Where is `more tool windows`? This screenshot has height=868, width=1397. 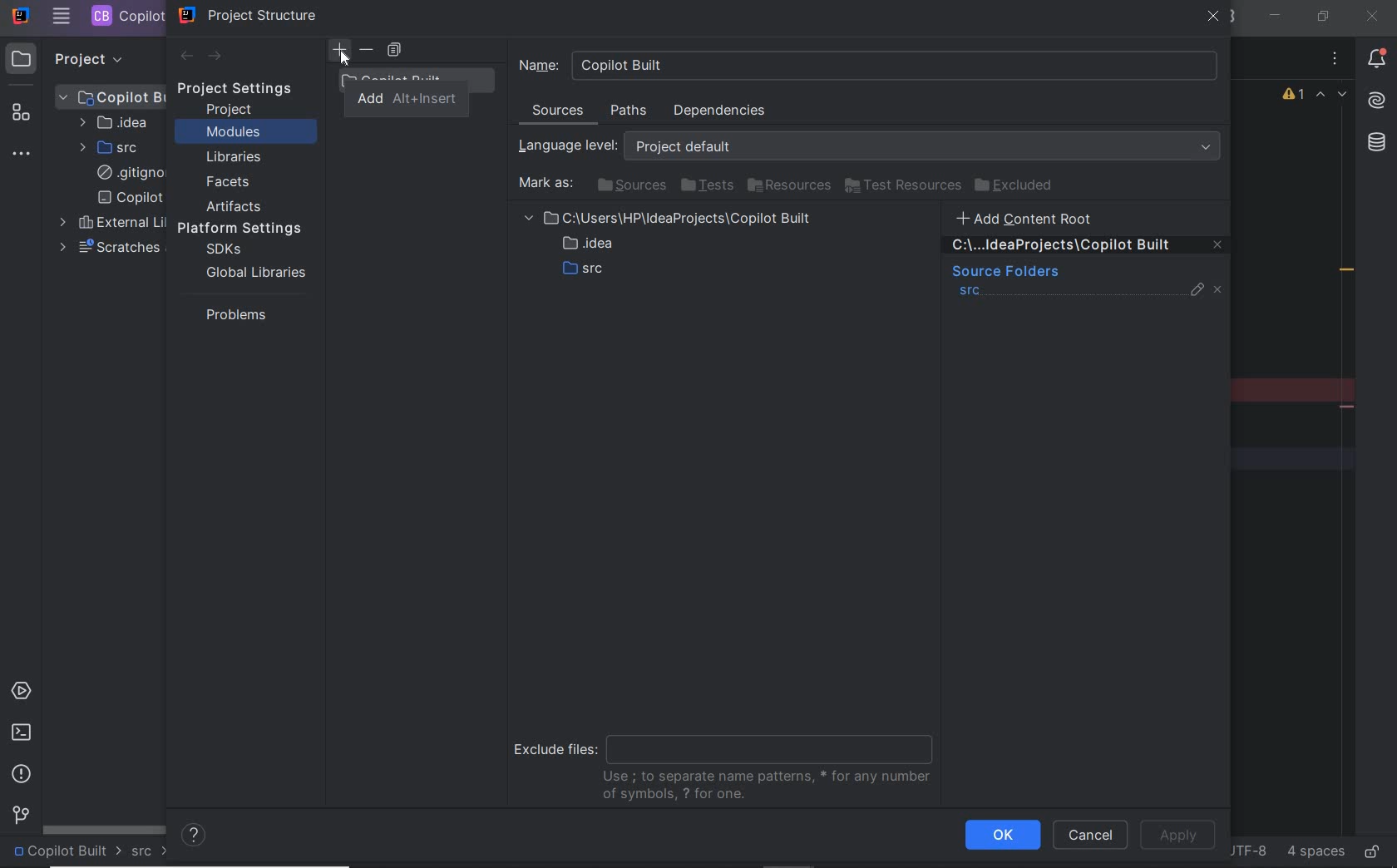 more tool windows is located at coordinates (23, 155).